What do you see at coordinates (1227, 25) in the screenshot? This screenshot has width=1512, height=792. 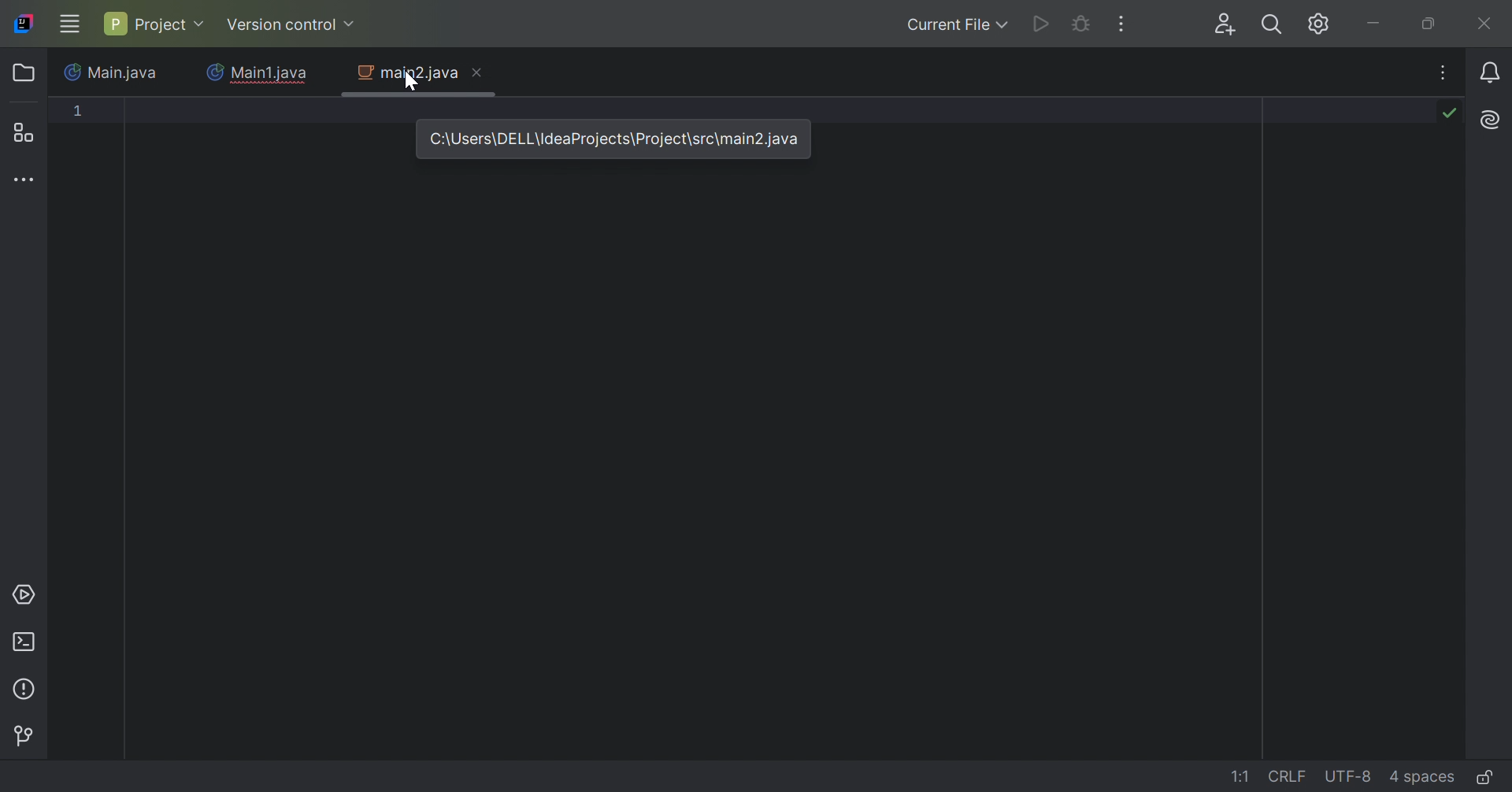 I see `Code with me` at bounding box center [1227, 25].